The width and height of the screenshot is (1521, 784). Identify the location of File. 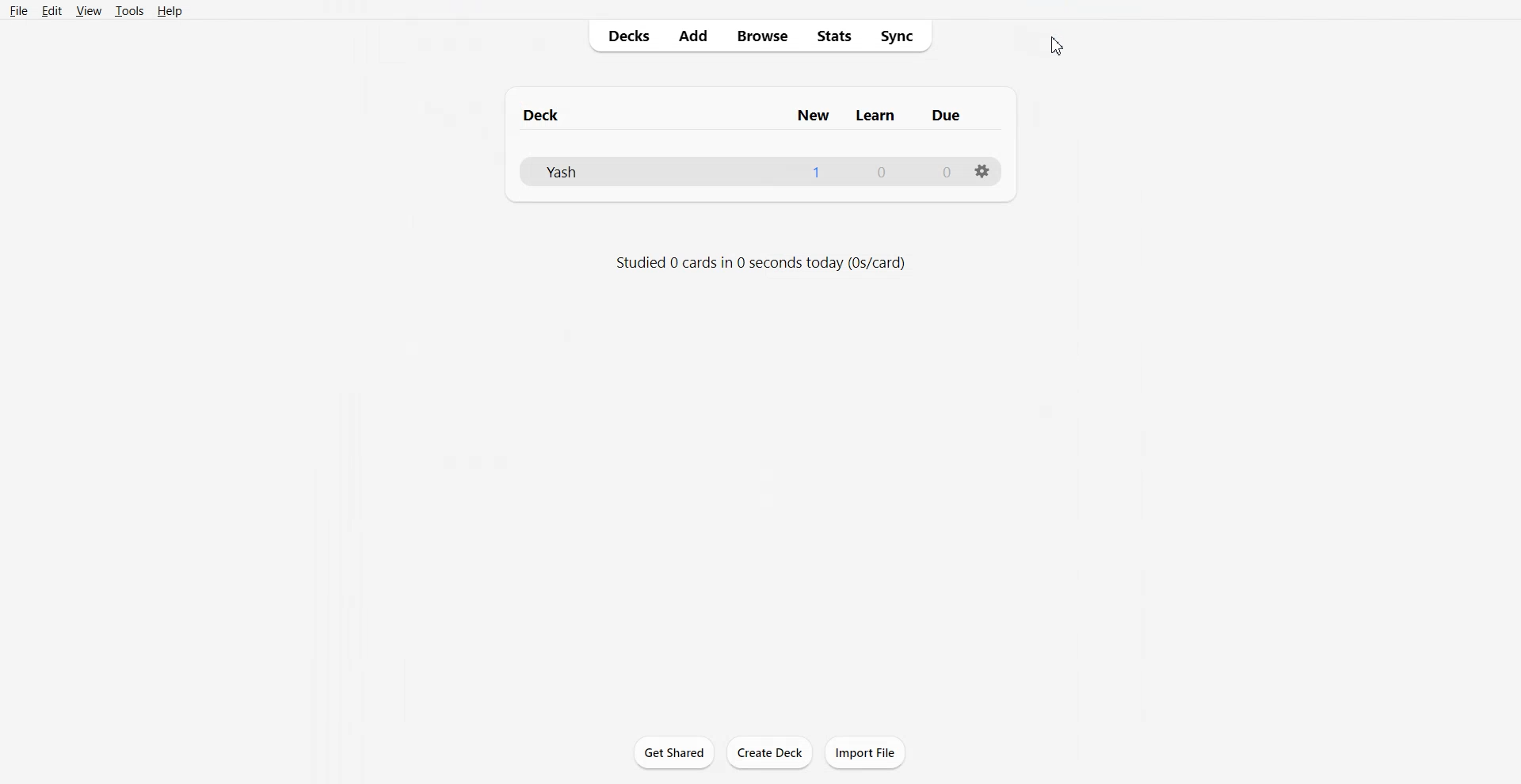
(19, 10).